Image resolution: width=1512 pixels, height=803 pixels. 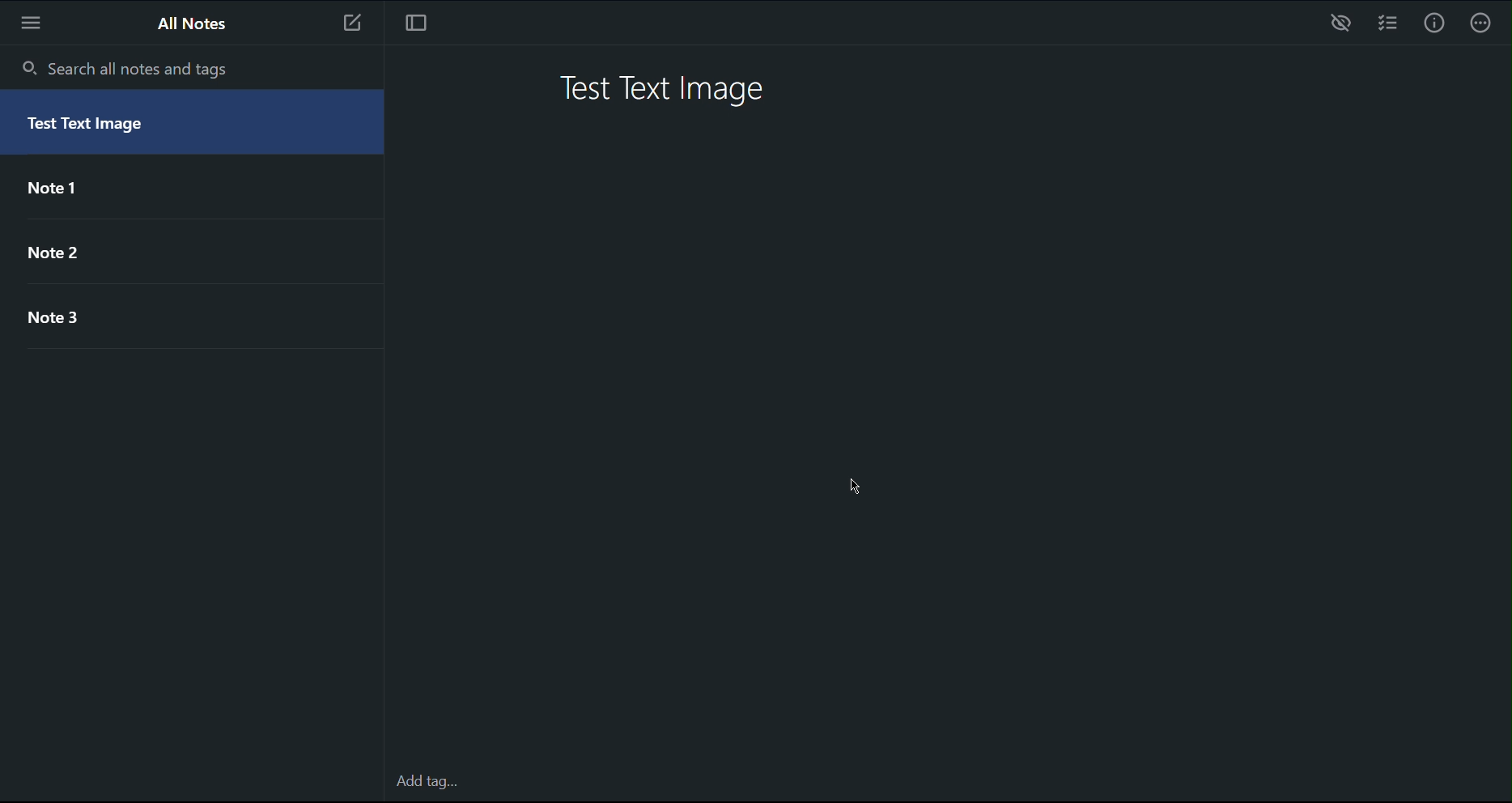 I want to click on More, so click(x=35, y=23).